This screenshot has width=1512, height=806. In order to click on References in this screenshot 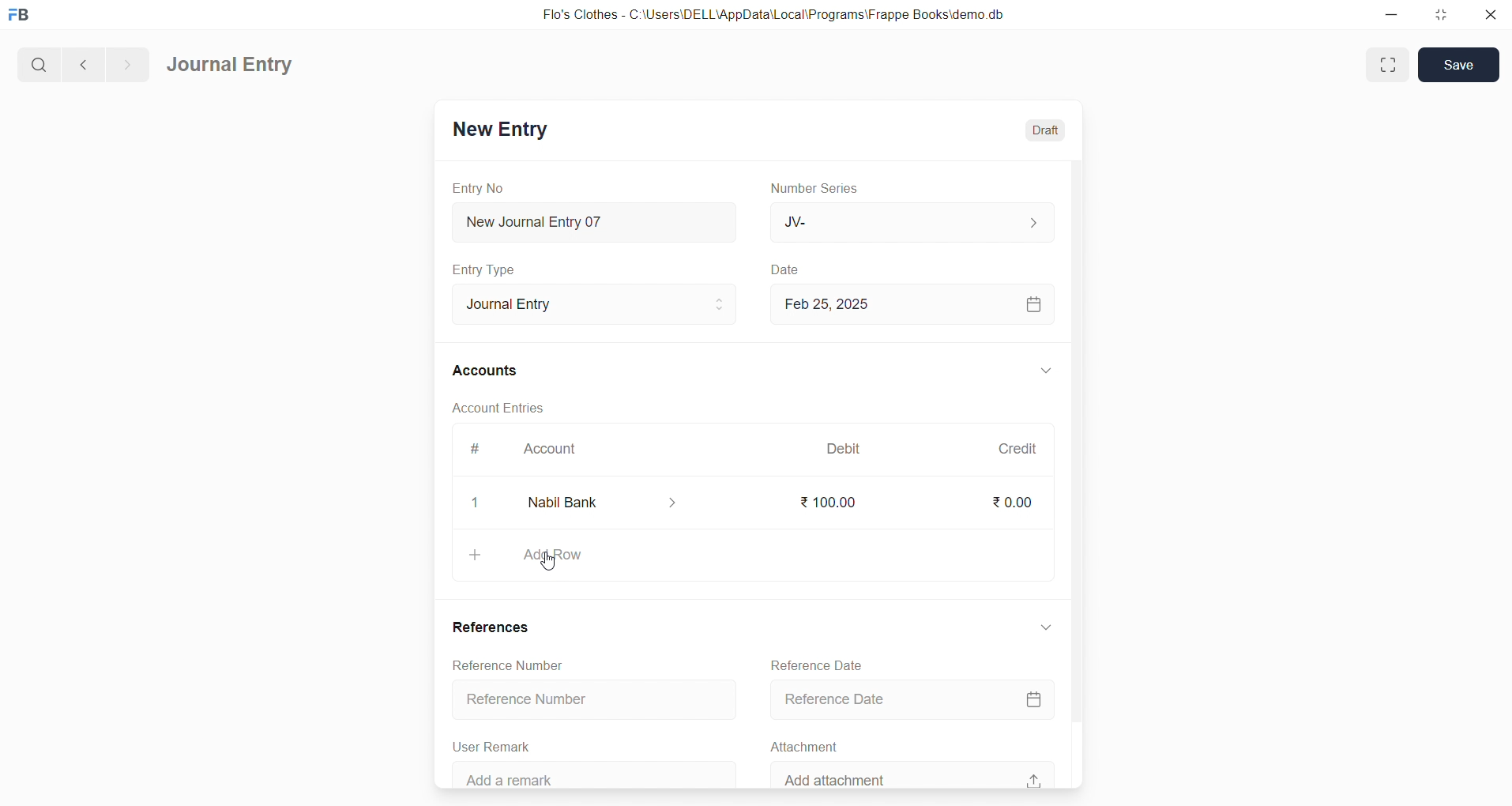, I will do `click(495, 627)`.